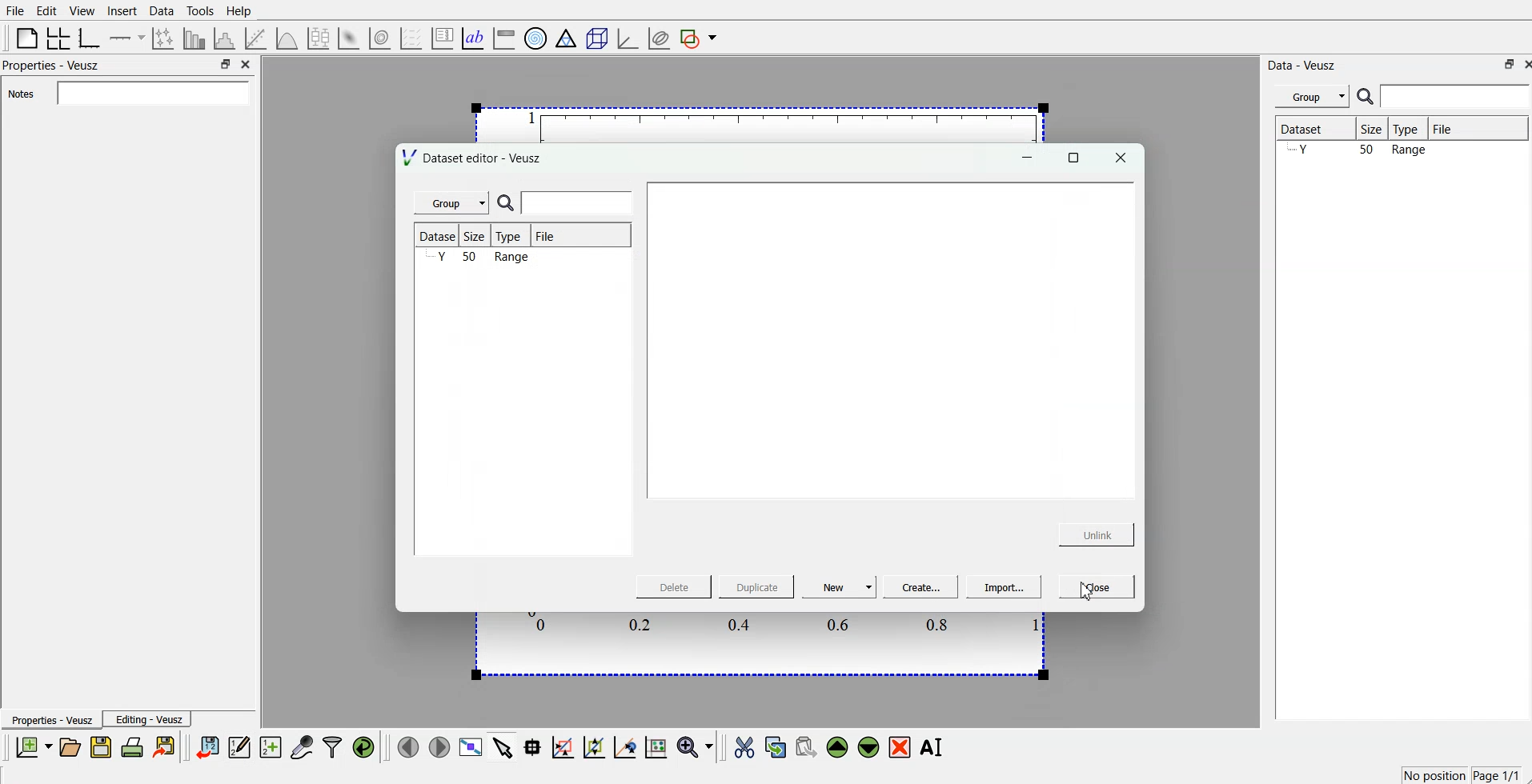  I want to click on Group , so click(1313, 96).